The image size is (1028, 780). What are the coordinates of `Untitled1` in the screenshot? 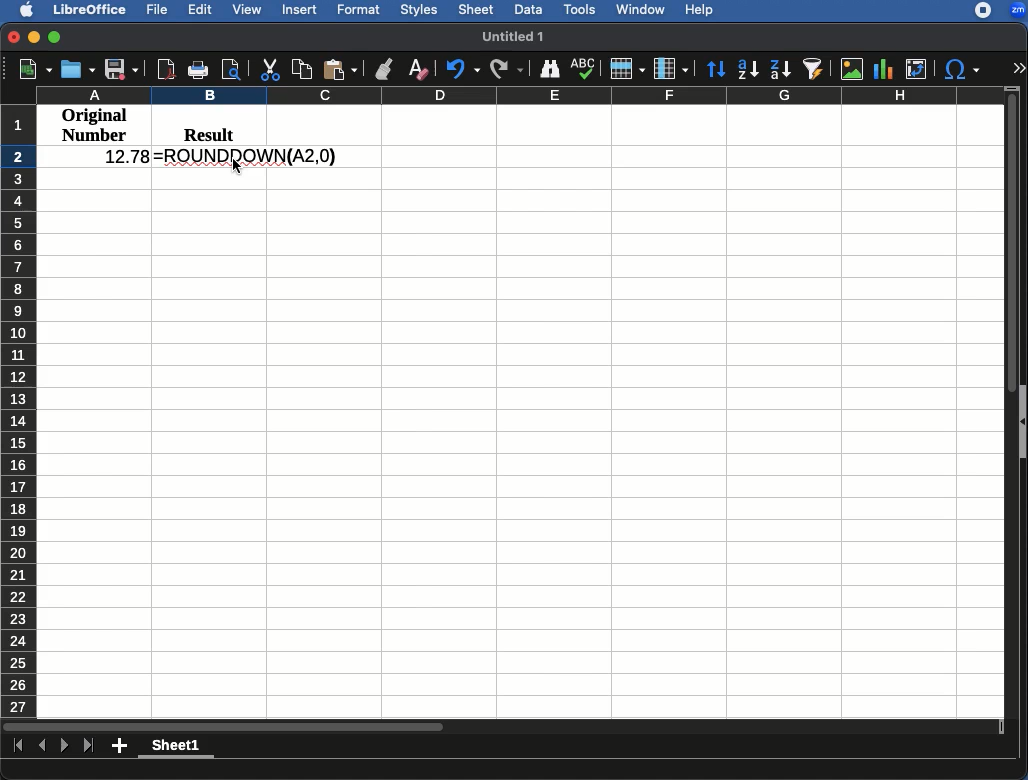 It's located at (516, 36).